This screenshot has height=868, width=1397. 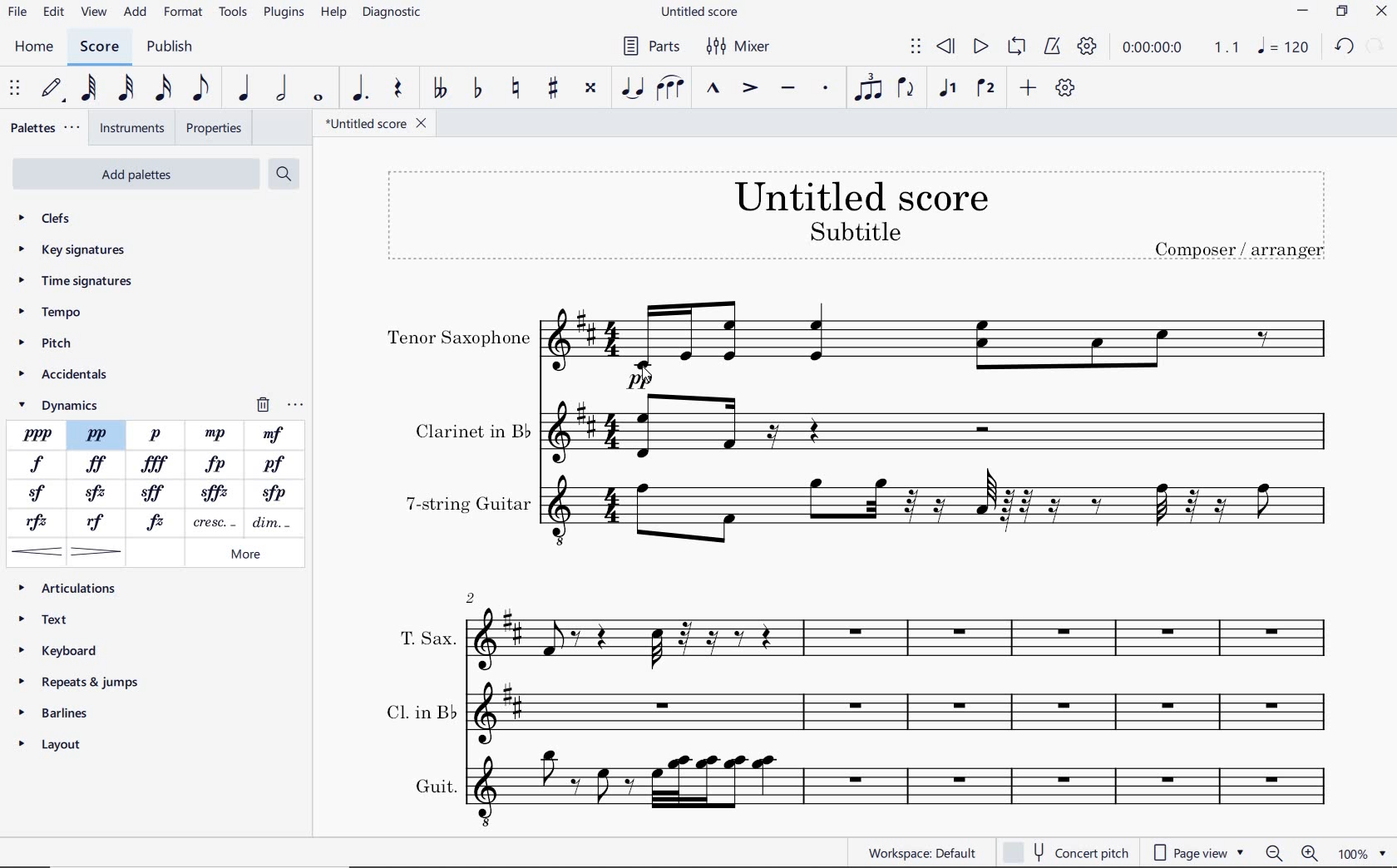 What do you see at coordinates (1239, 248) in the screenshot?
I see `text` at bounding box center [1239, 248].